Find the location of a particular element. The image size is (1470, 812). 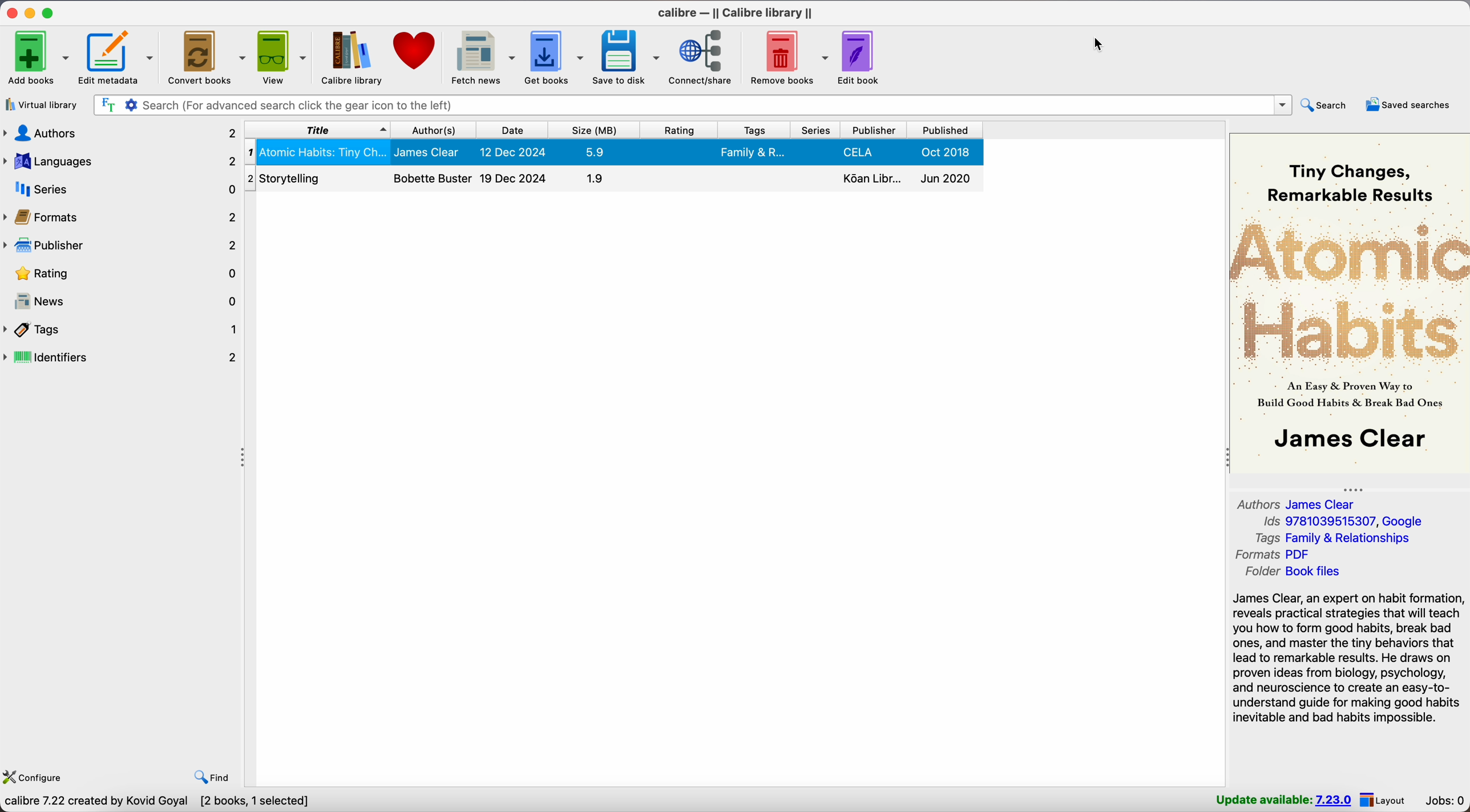

tags Family & Relationships is located at coordinates (1331, 538).